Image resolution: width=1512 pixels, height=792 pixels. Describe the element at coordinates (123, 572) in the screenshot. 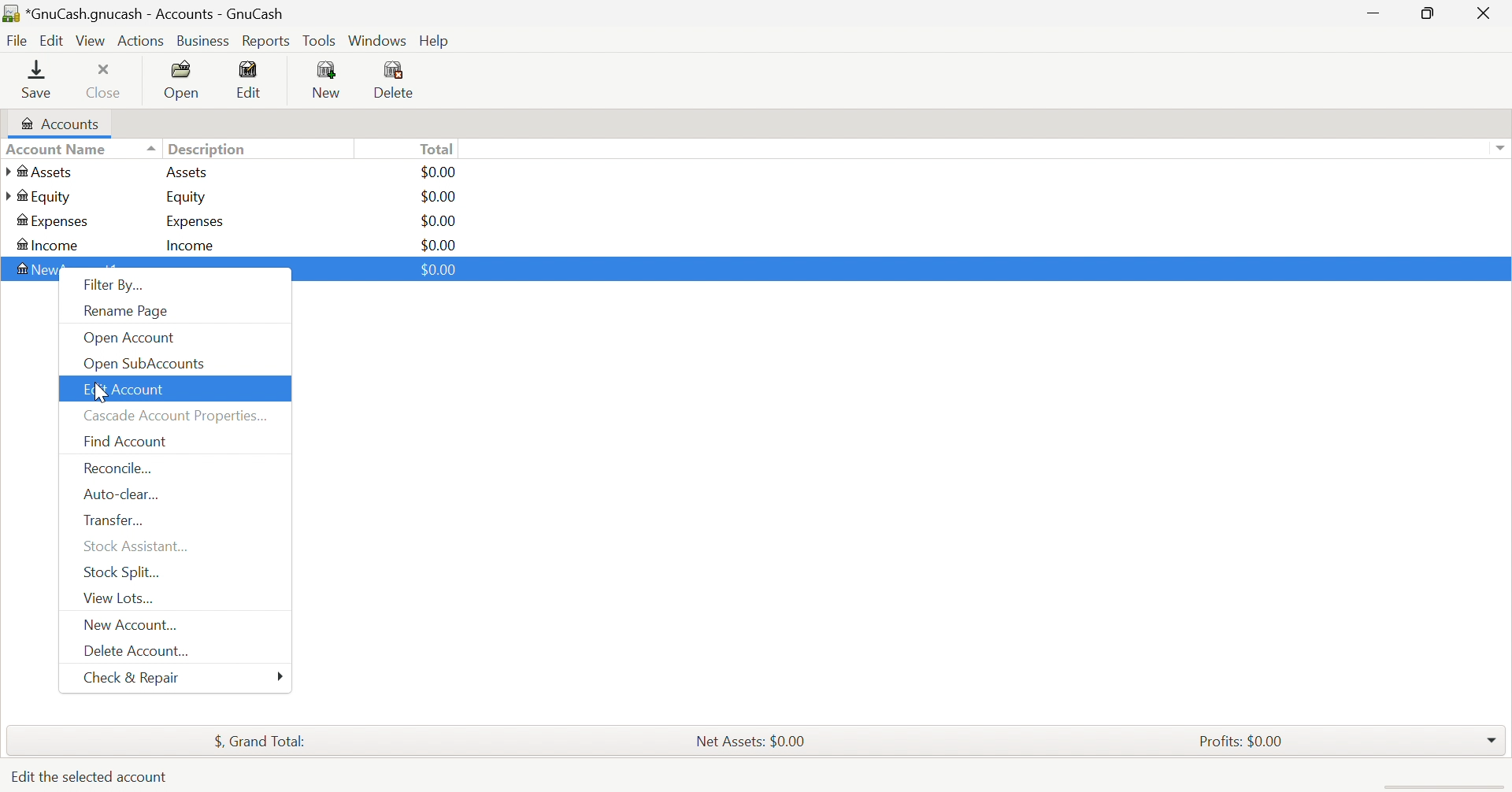

I see `Stock Split...` at that location.